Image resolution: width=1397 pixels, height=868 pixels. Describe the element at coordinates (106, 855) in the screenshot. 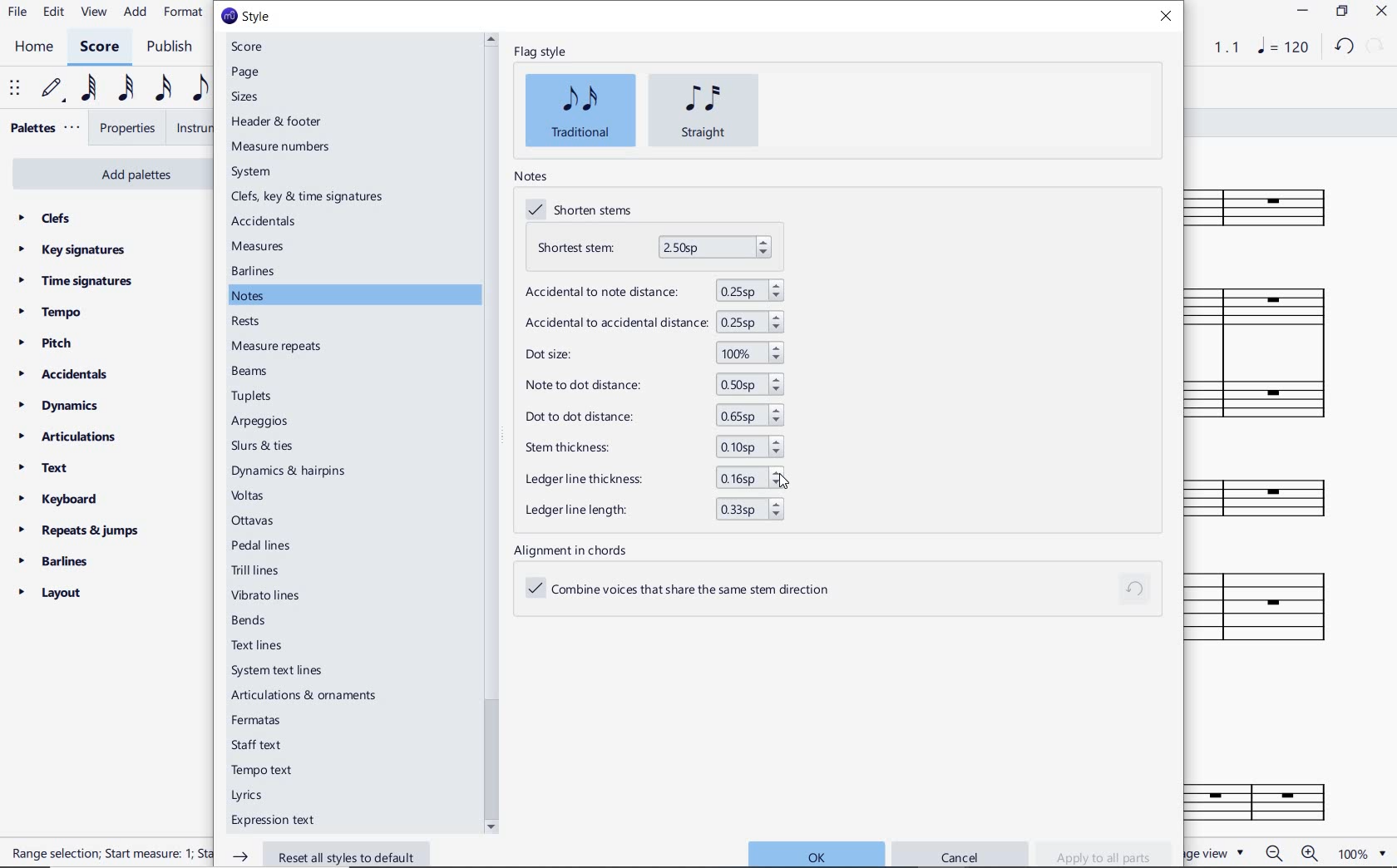

I see `RANGE SELECTION` at that location.